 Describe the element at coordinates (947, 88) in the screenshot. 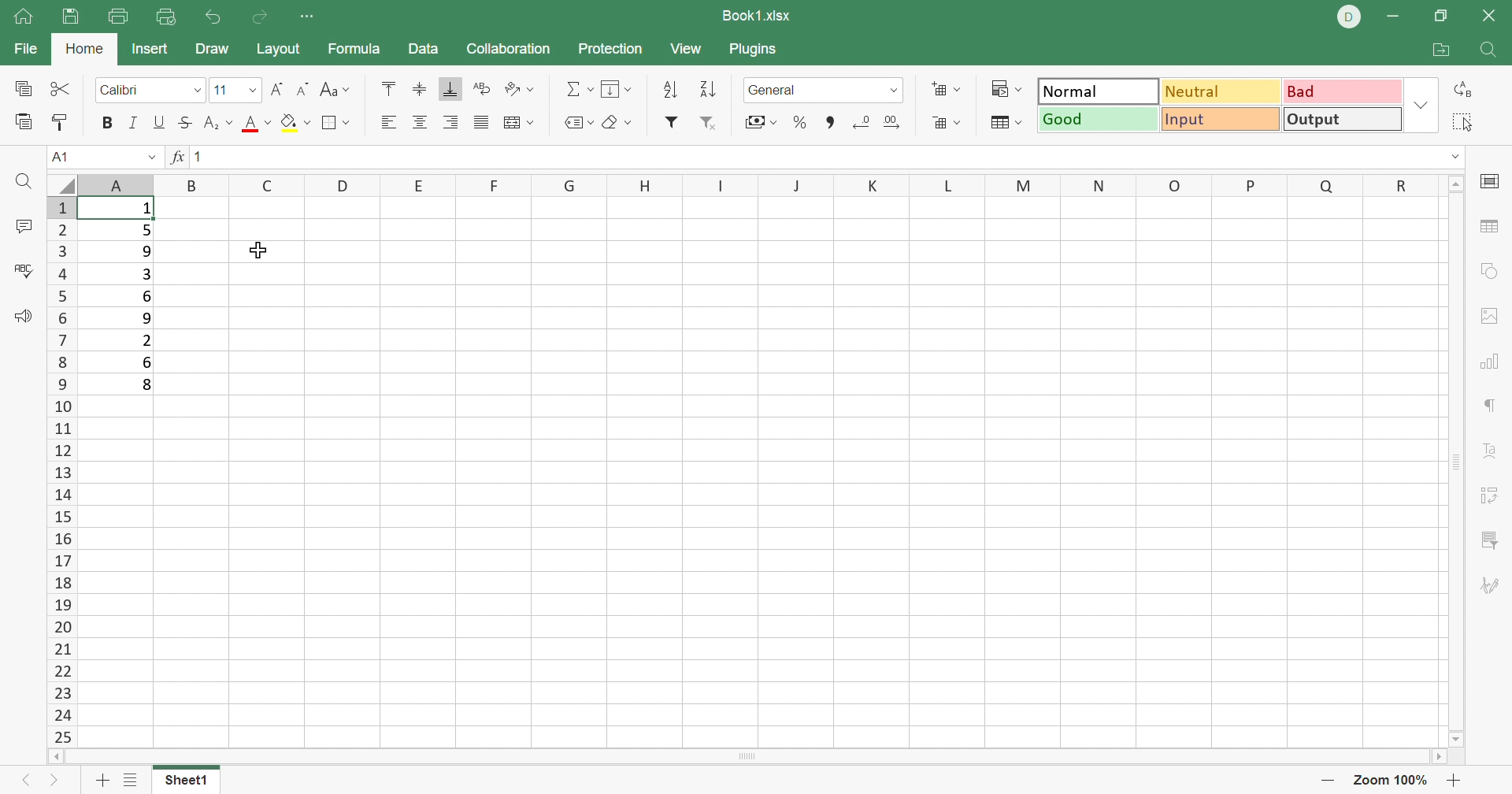

I see `Insert ` at that location.